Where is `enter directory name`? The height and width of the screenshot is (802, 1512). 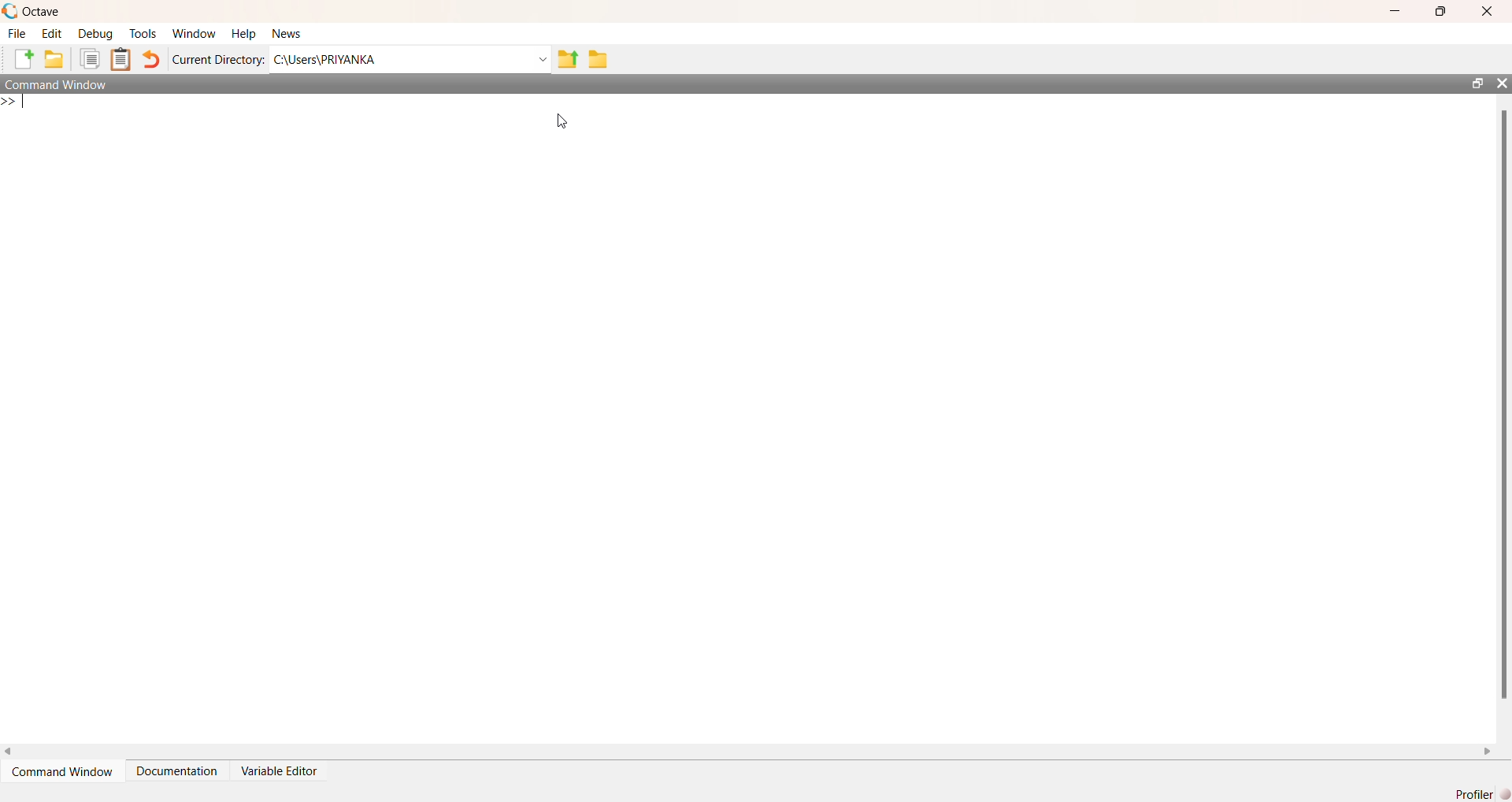
enter directory name is located at coordinates (410, 60).